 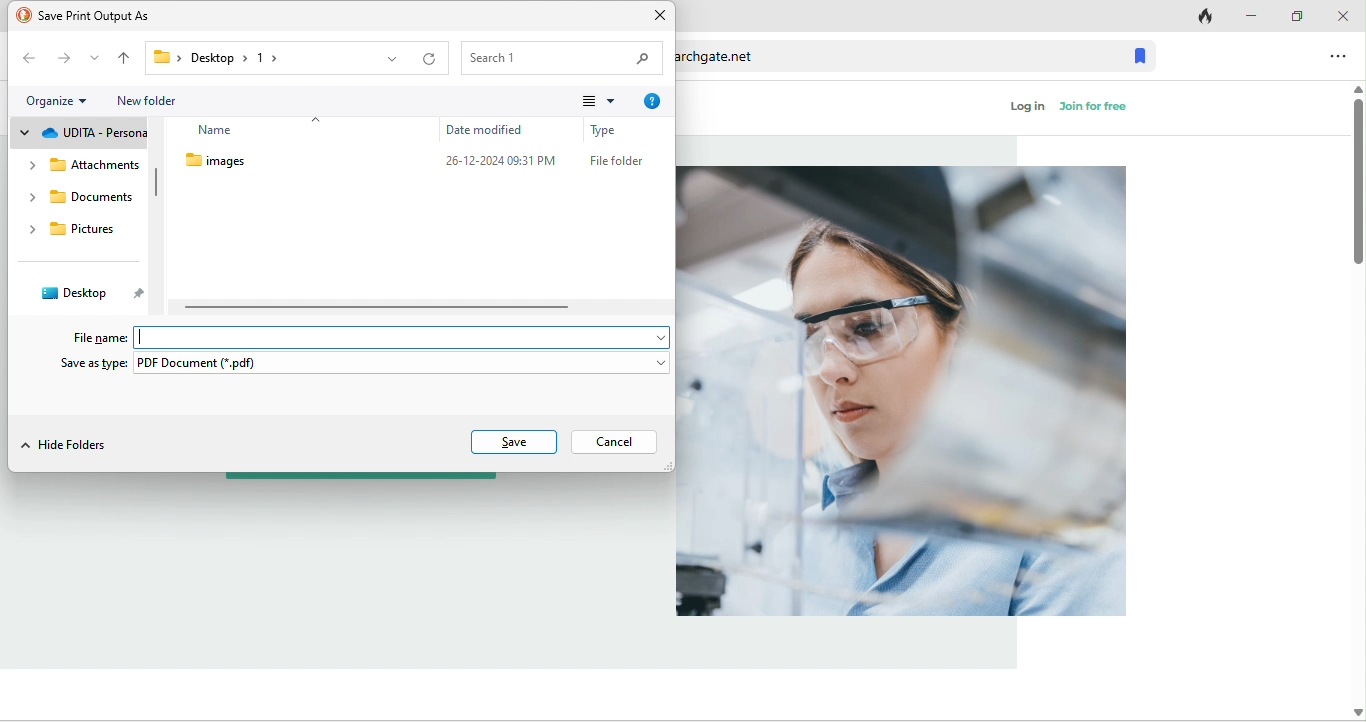 What do you see at coordinates (82, 132) in the screenshot?
I see `udita personal` at bounding box center [82, 132].